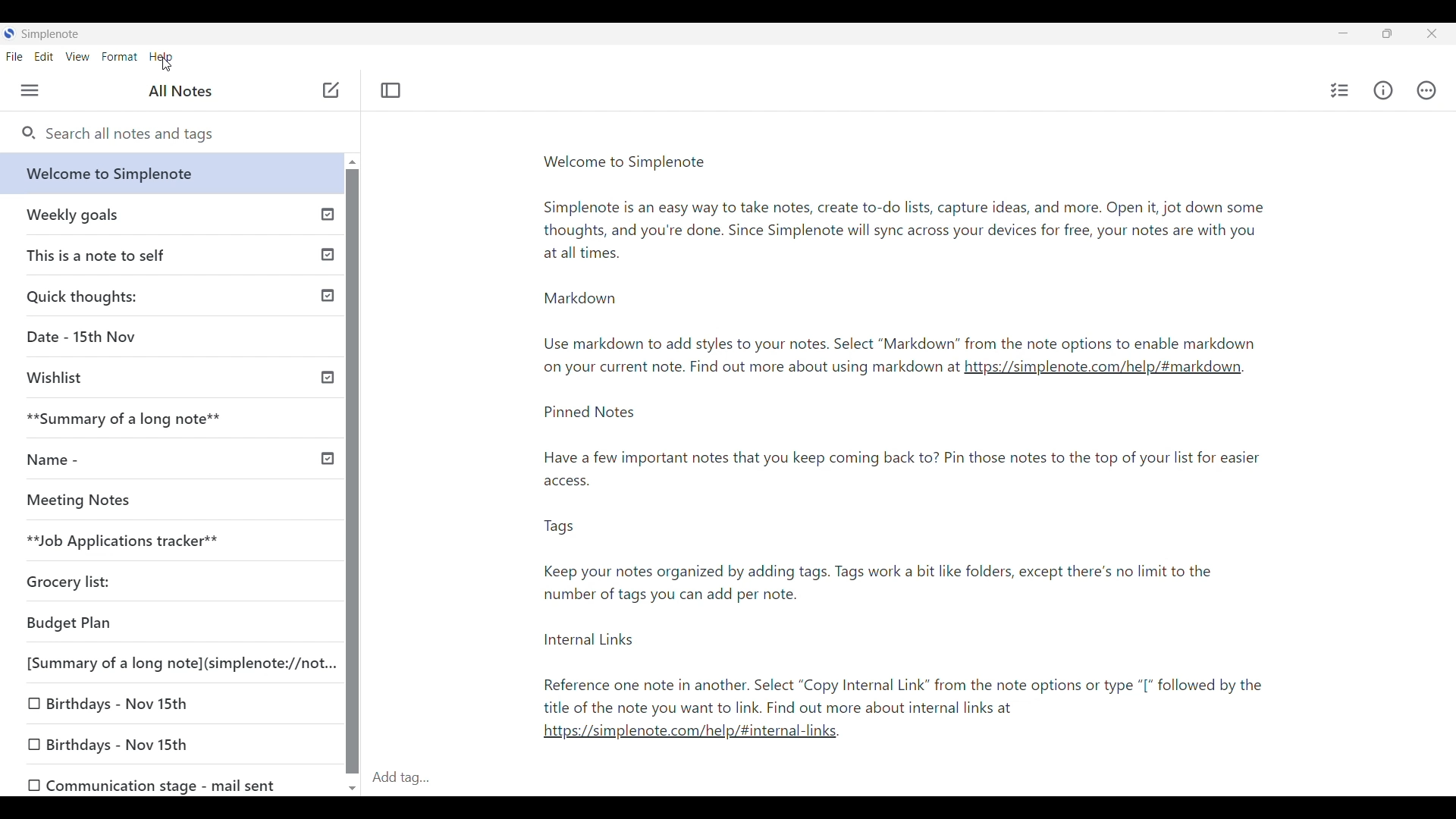  Describe the element at coordinates (151, 293) in the screenshot. I see `Quick thoughts:` at that location.